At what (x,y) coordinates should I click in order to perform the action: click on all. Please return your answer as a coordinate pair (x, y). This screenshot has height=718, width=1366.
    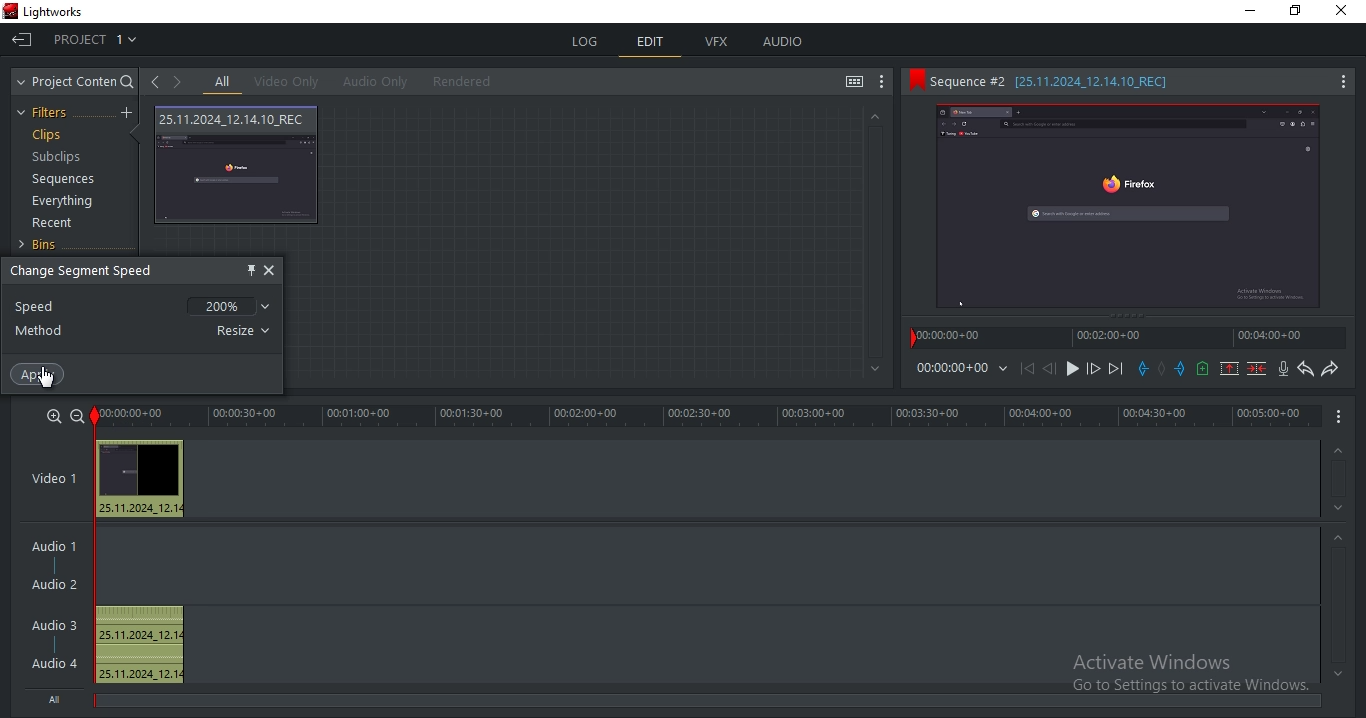
    Looking at the image, I should click on (57, 698).